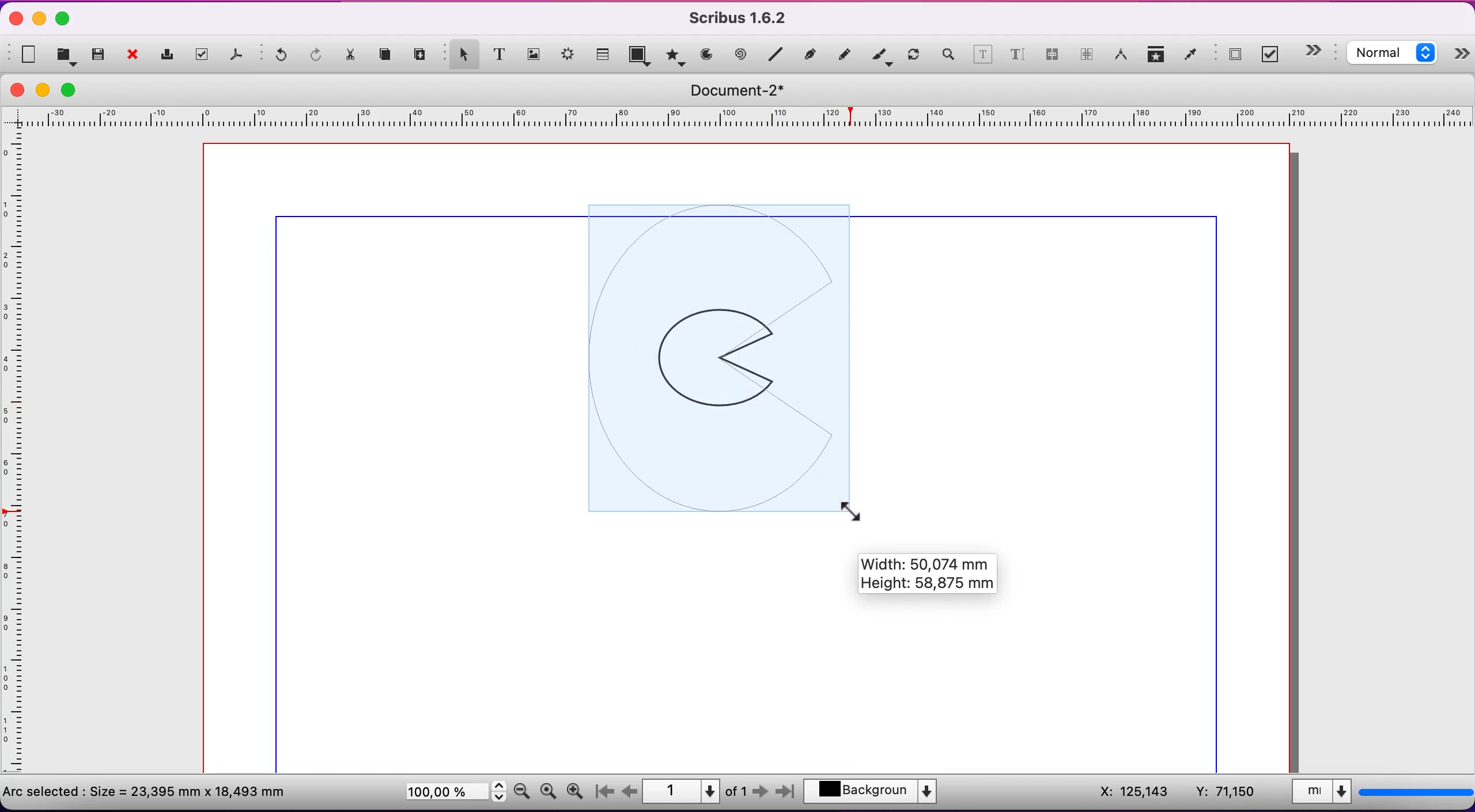 The image size is (1475, 812). What do you see at coordinates (136, 56) in the screenshot?
I see `close` at bounding box center [136, 56].